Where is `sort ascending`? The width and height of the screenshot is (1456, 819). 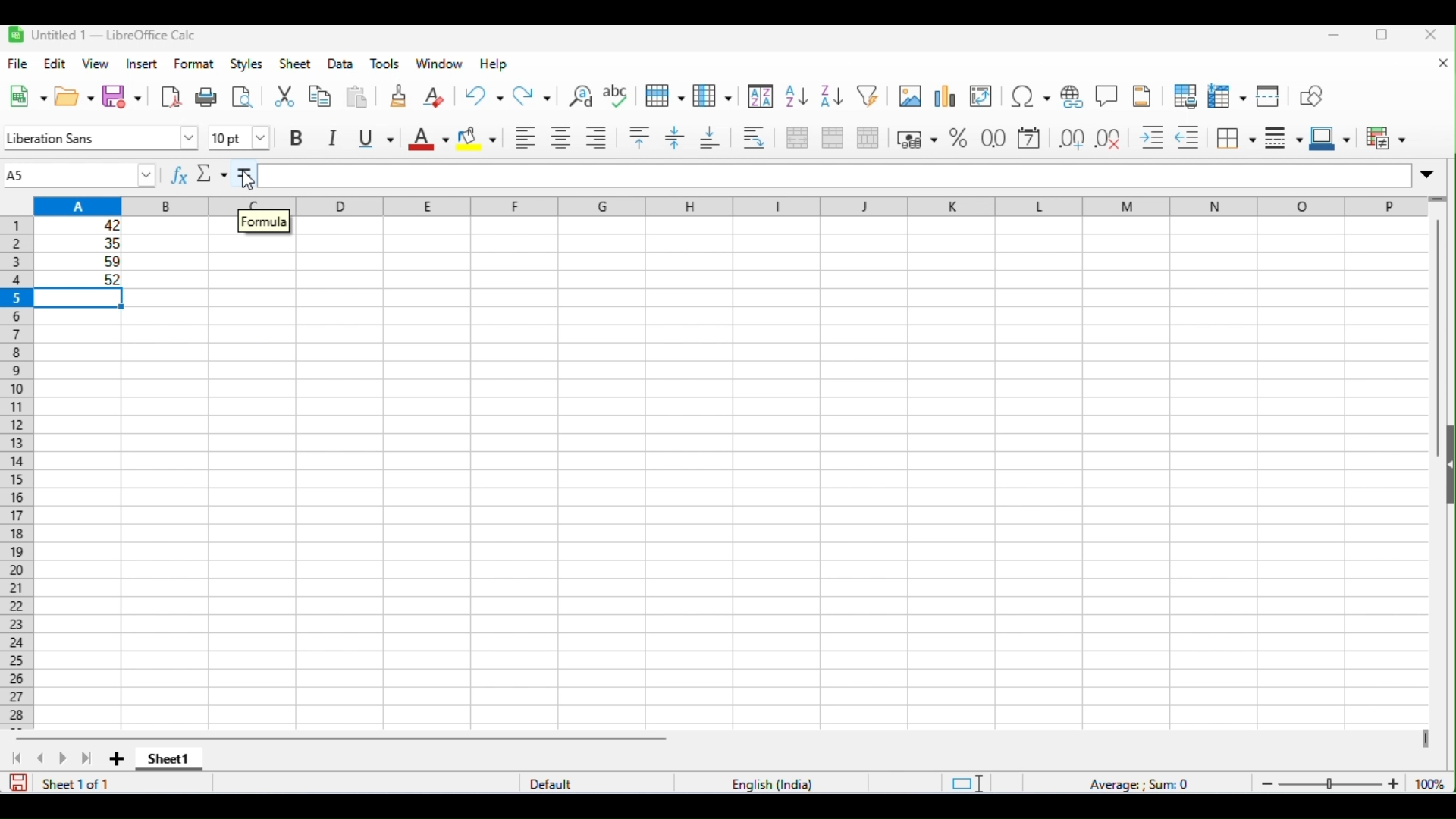
sort ascending is located at coordinates (797, 96).